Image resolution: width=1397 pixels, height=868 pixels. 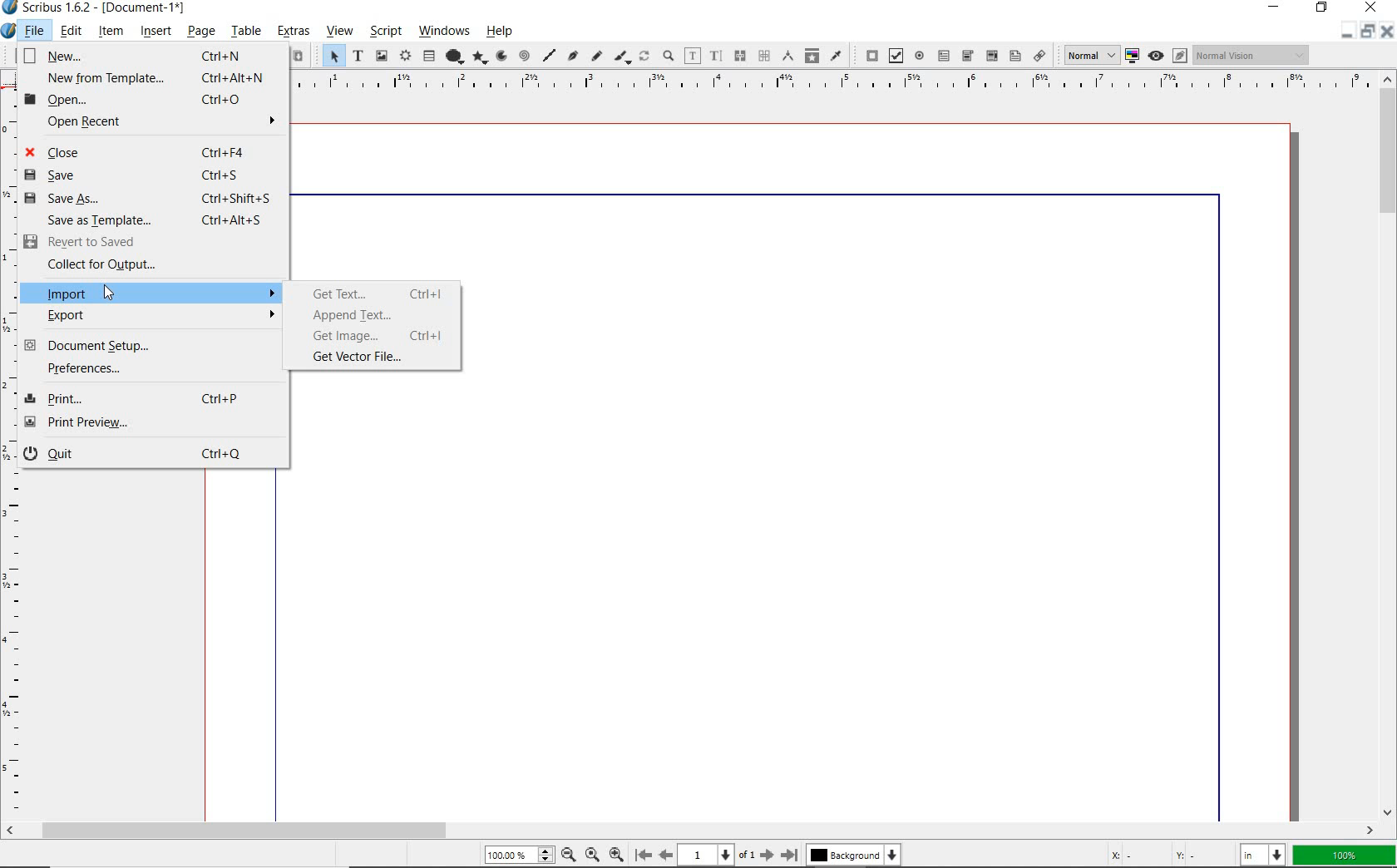 What do you see at coordinates (153, 219) in the screenshot?
I see `Save as Template... Ctrl+Alt+S` at bounding box center [153, 219].